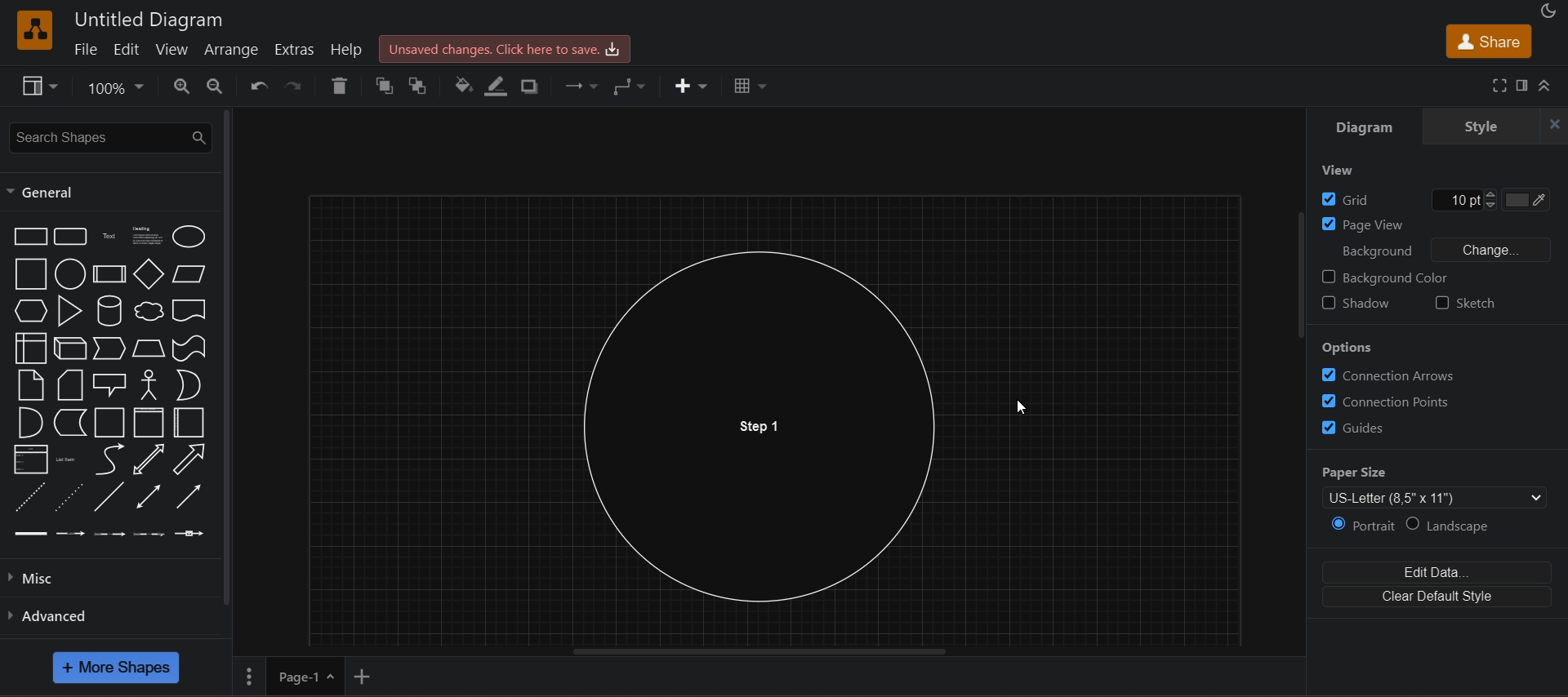  What do you see at coordinates (1400, 375) in the screenshot?
I see `Correction Arrows` at bounding box center [1400, 375].